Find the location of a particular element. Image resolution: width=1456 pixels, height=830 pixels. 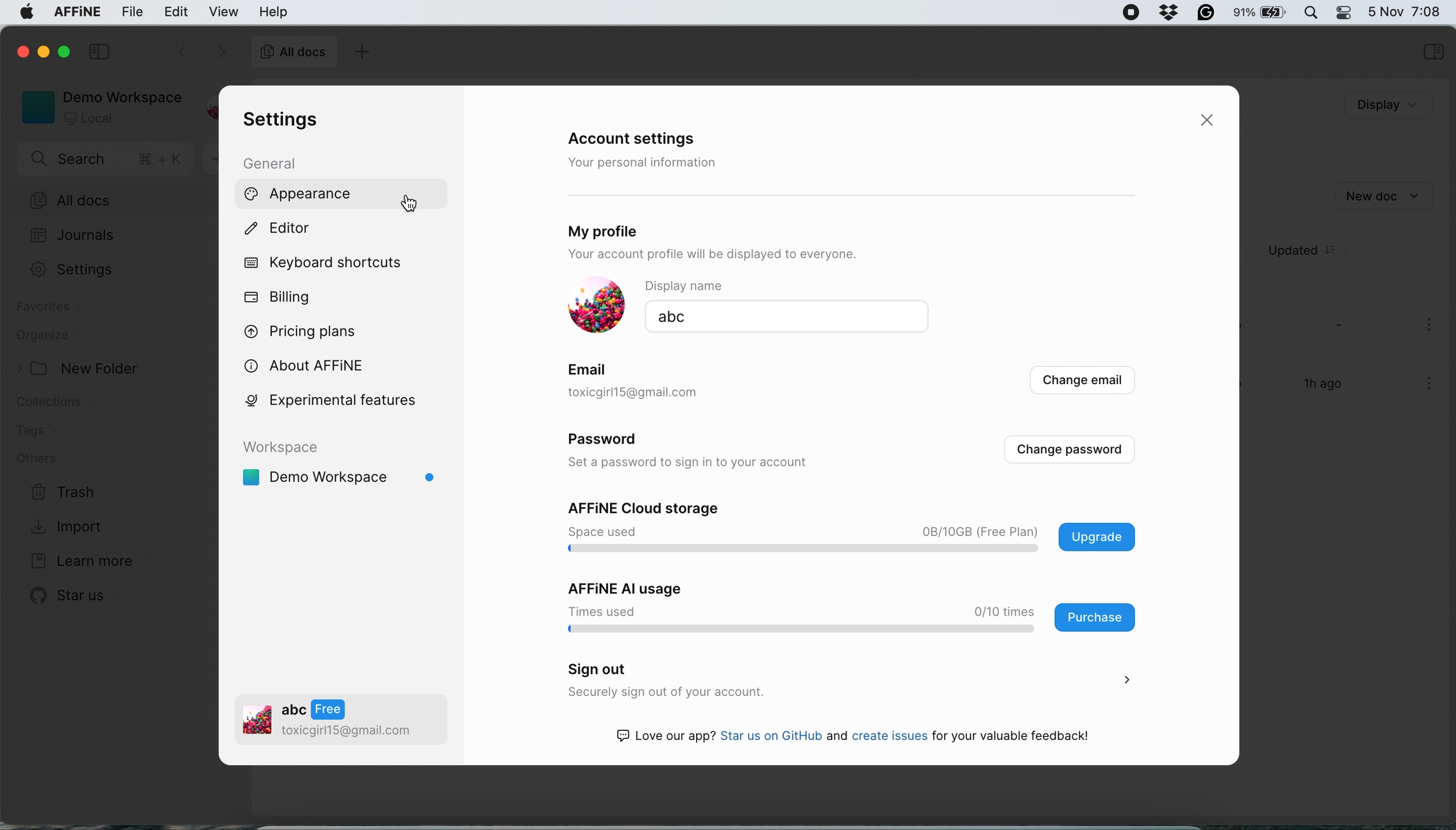

pricing plans is located at coordinates (303, 335).